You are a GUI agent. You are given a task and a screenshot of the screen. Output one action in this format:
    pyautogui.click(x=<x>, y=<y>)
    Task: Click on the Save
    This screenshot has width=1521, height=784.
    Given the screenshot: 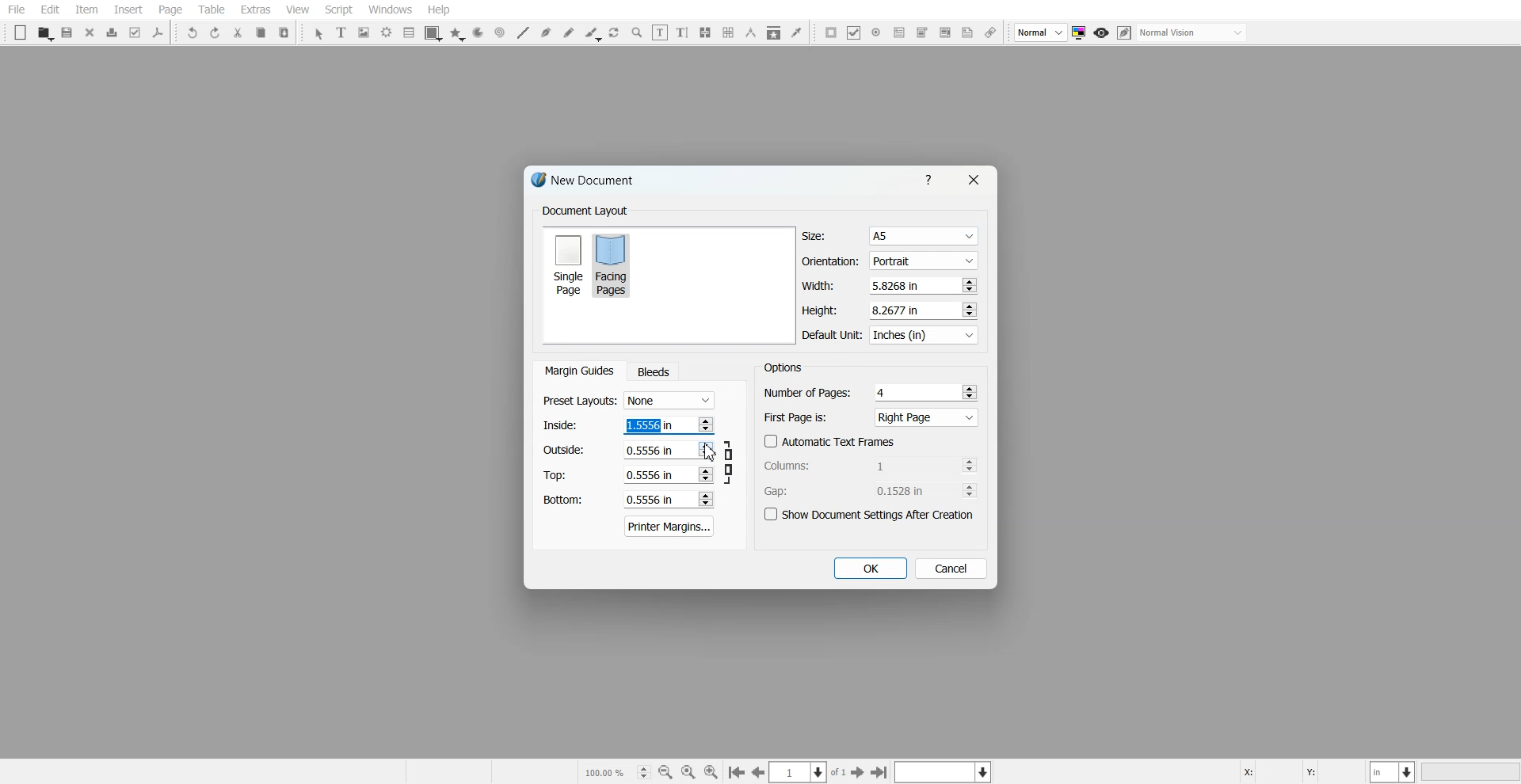 What is the action you would take?
    pyautogui.click(x=68, y=32)
    